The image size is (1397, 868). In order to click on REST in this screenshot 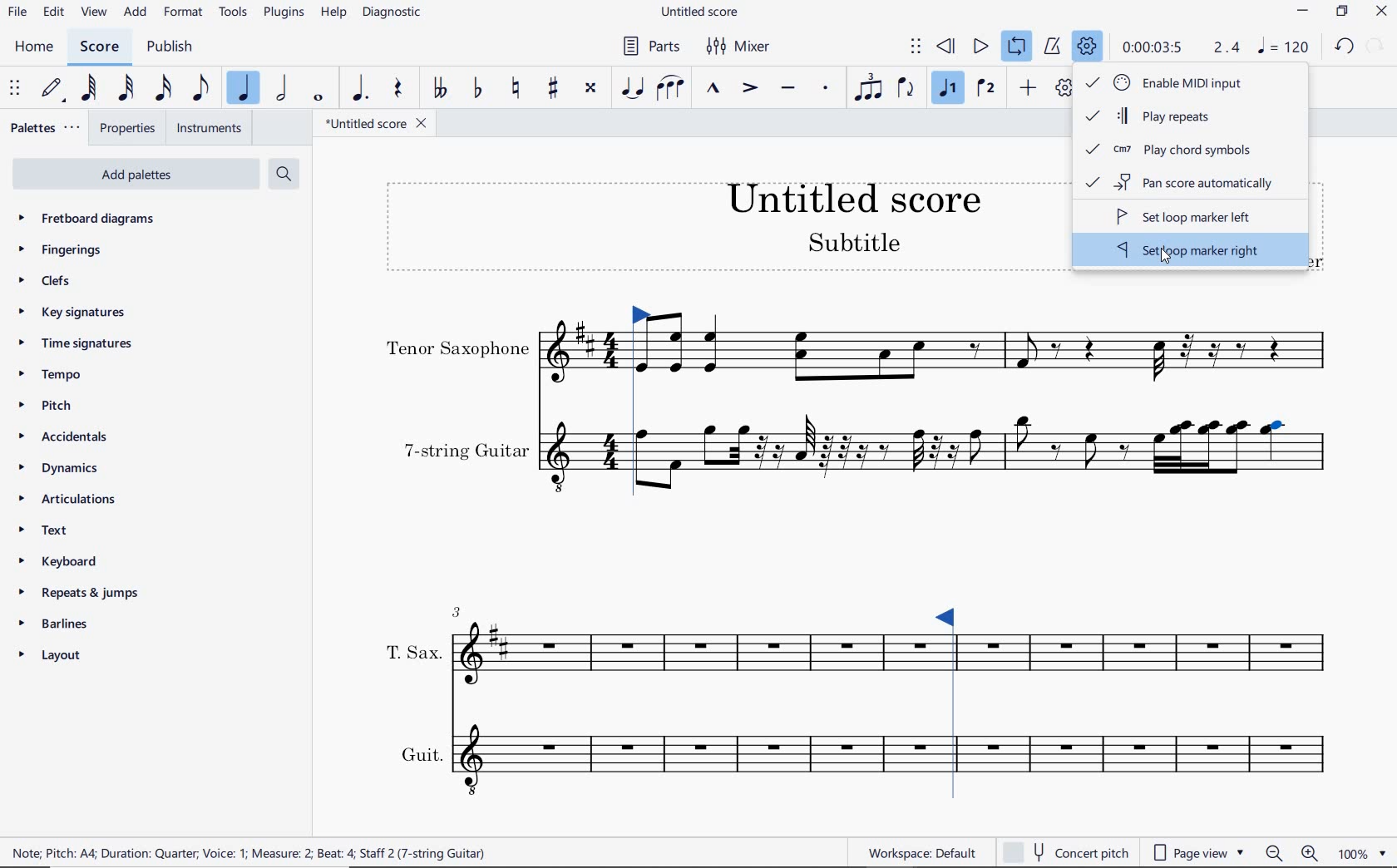, I will do `click(396, 89)`.